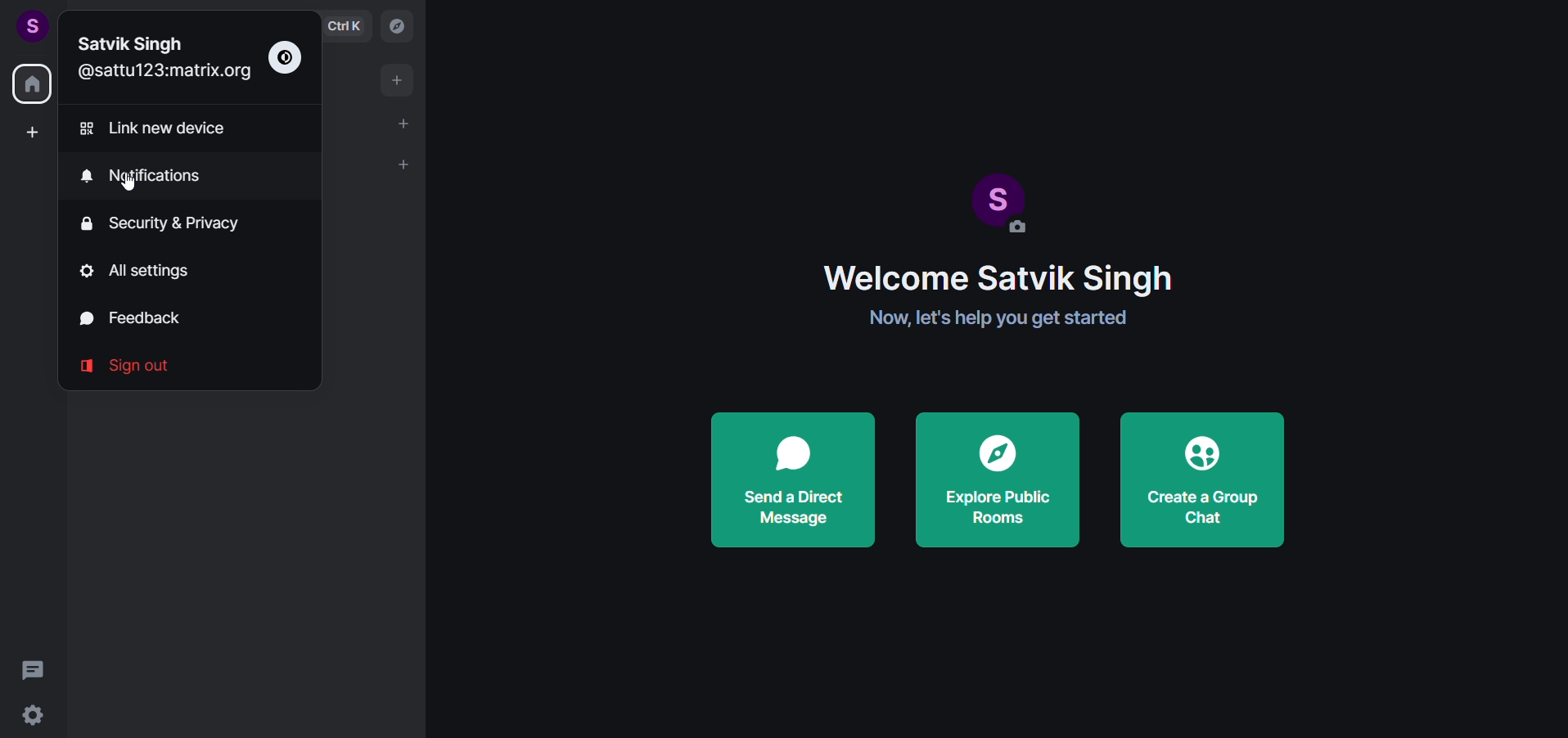 The height and width of the screenshot is (738, 1568). I want to click on Welcome Satvik Singh
Now, let's help you get started, so click(1005, 296).